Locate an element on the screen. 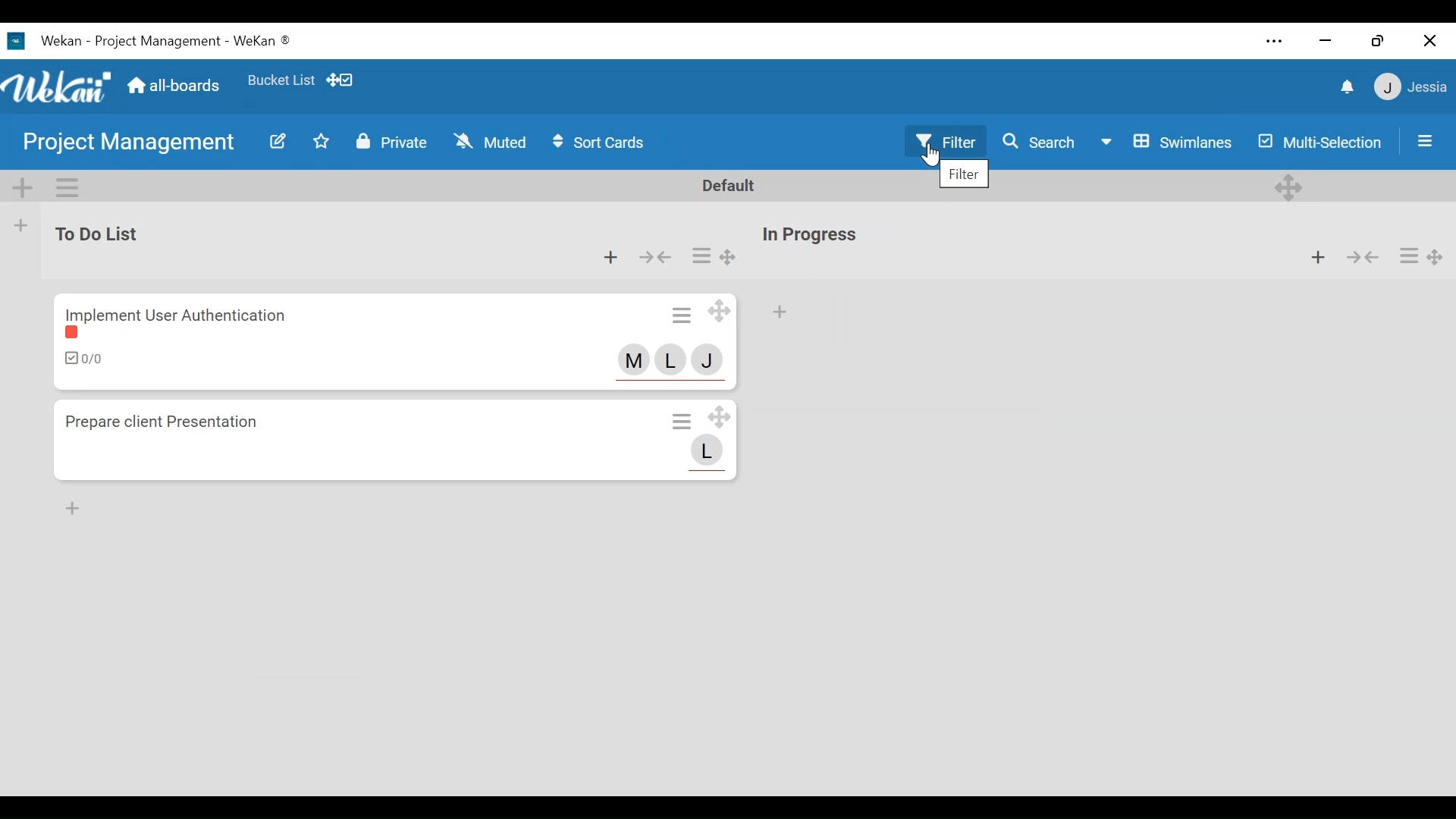  wekan icon is located at coordinates (14, 40).